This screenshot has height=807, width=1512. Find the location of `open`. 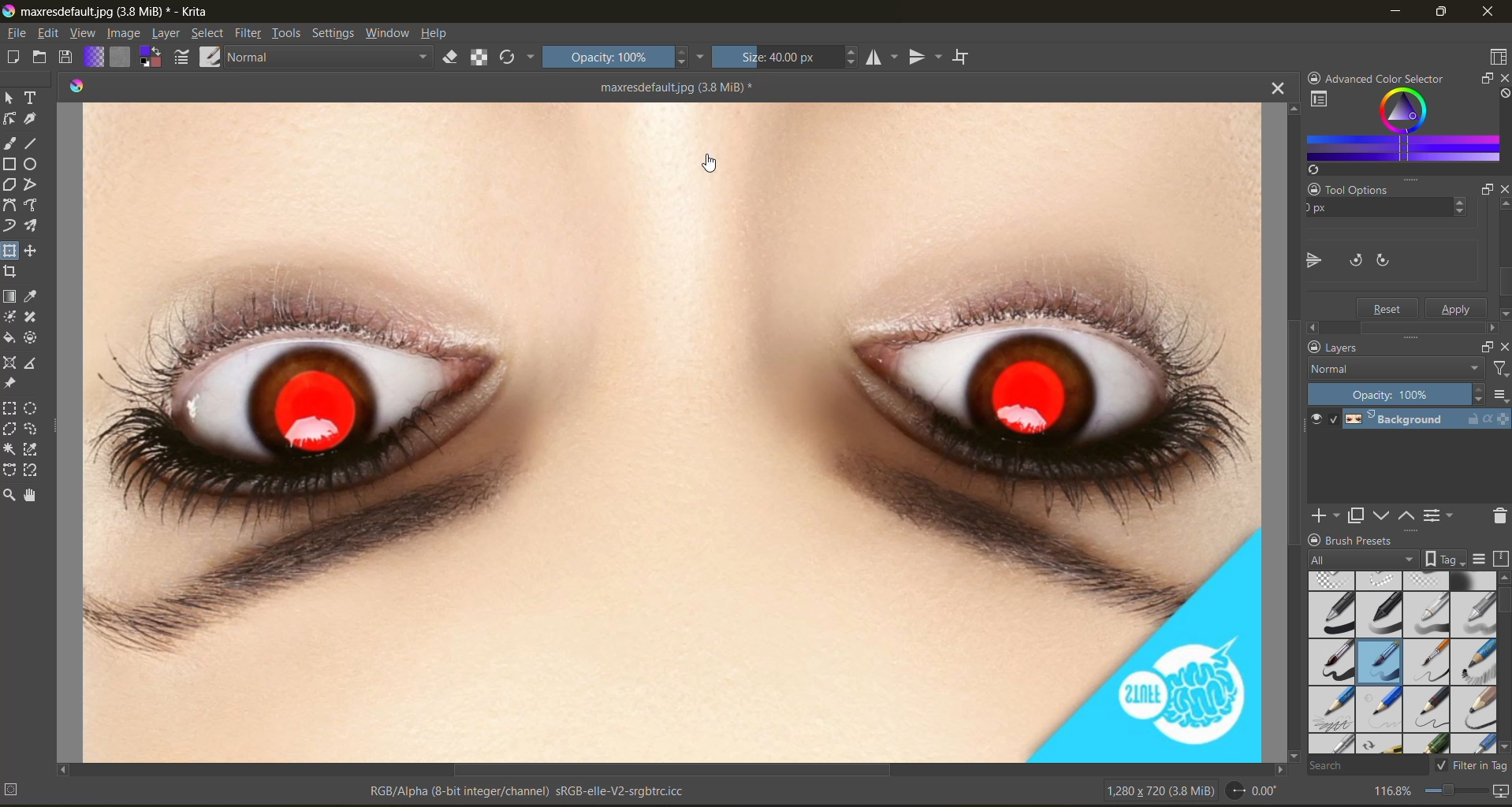

open is located at coordinates (43, 59).